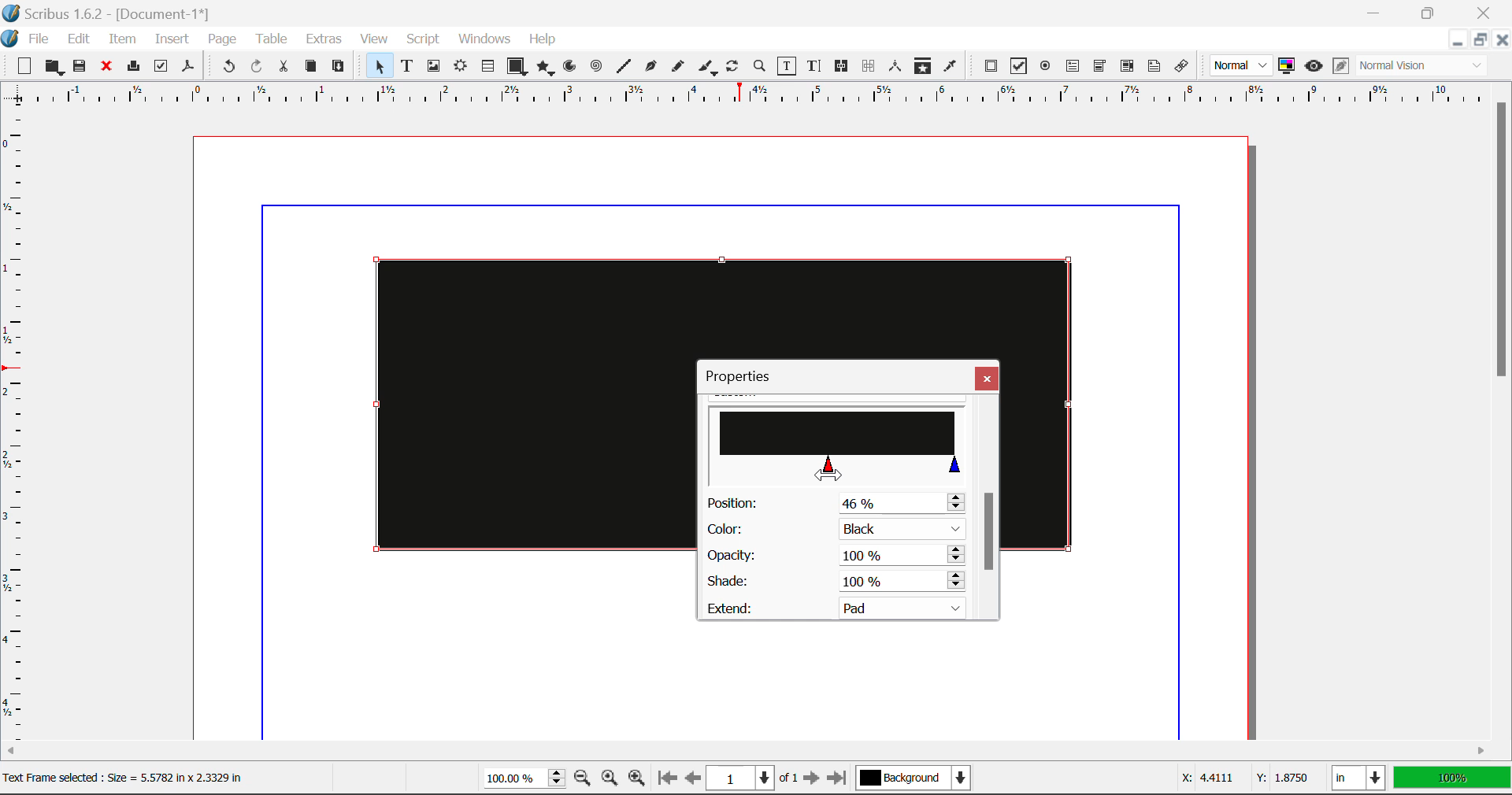 The height and width of the screenshot is (795, 1512). What do you see at coordinates (747, 376) in the screenshot?
I see `Properties` at bounding box center [747, 376].